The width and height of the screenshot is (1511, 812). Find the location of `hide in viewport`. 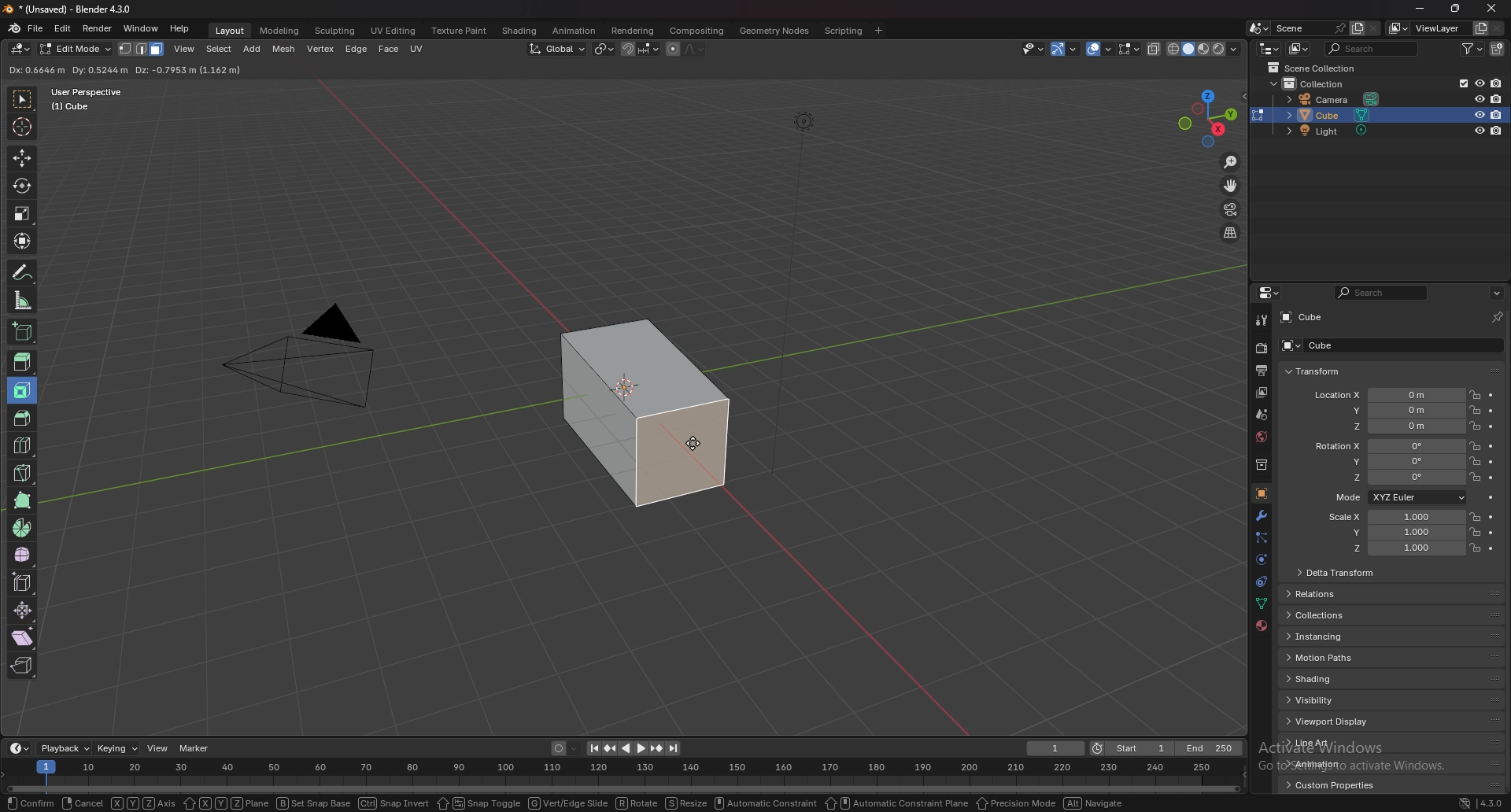

hide in viewport is located at coordinates (1479, 83).